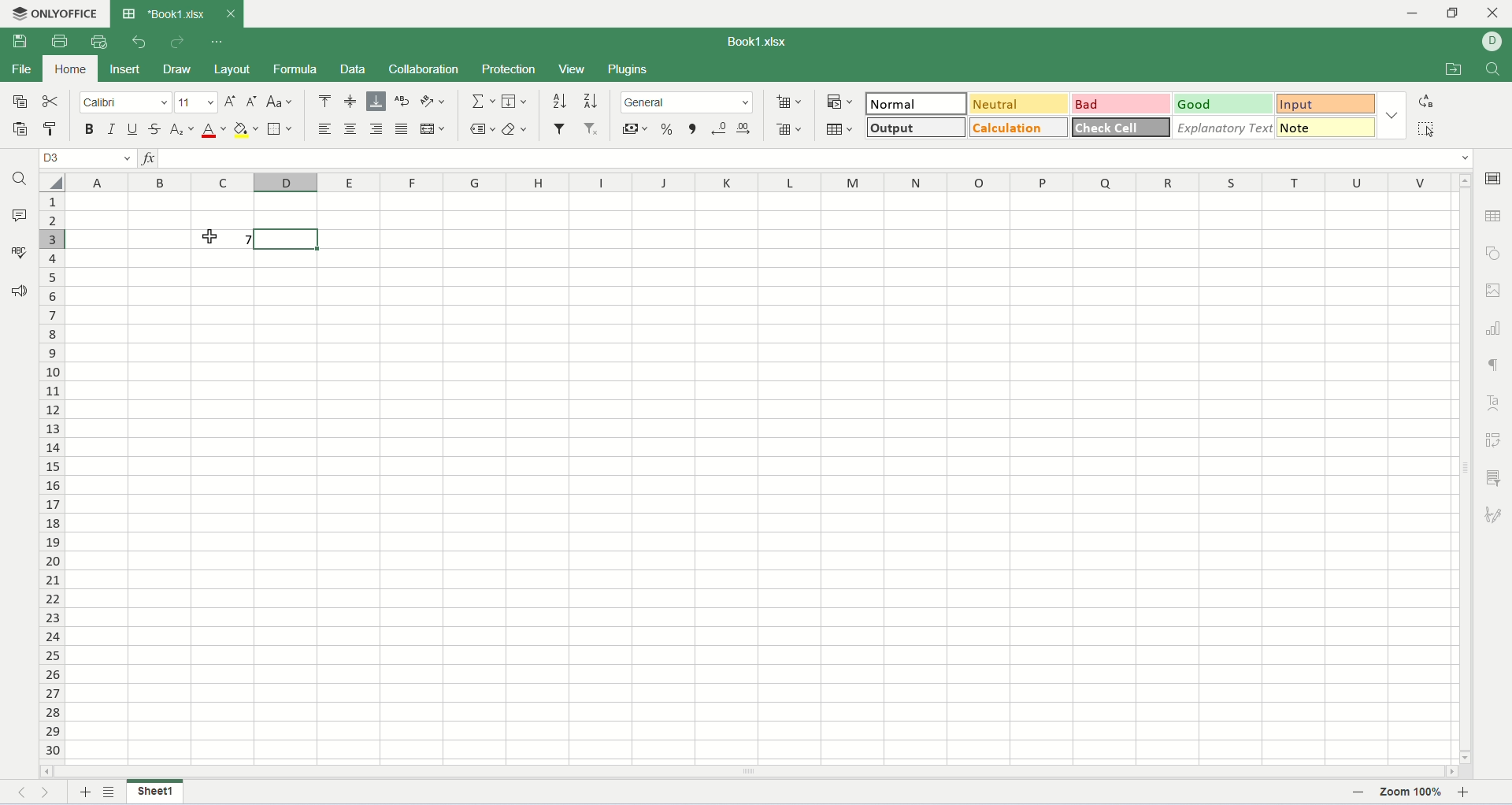  I want to click on slicer settings, so click(1496, 477).